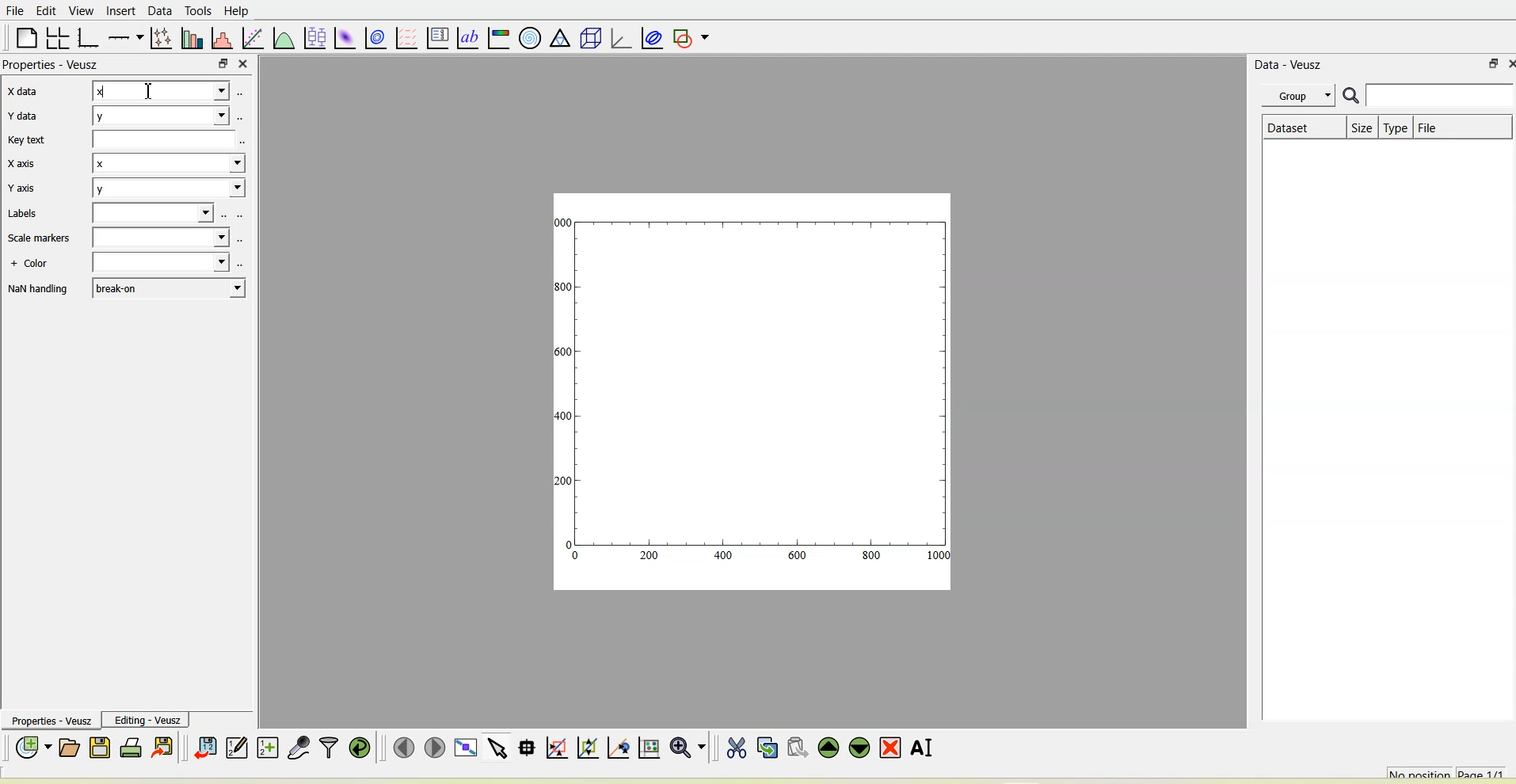  What do you see at coordinates (649, 557) in the screenshot?
I see `200` at bounding box center [649, 557].